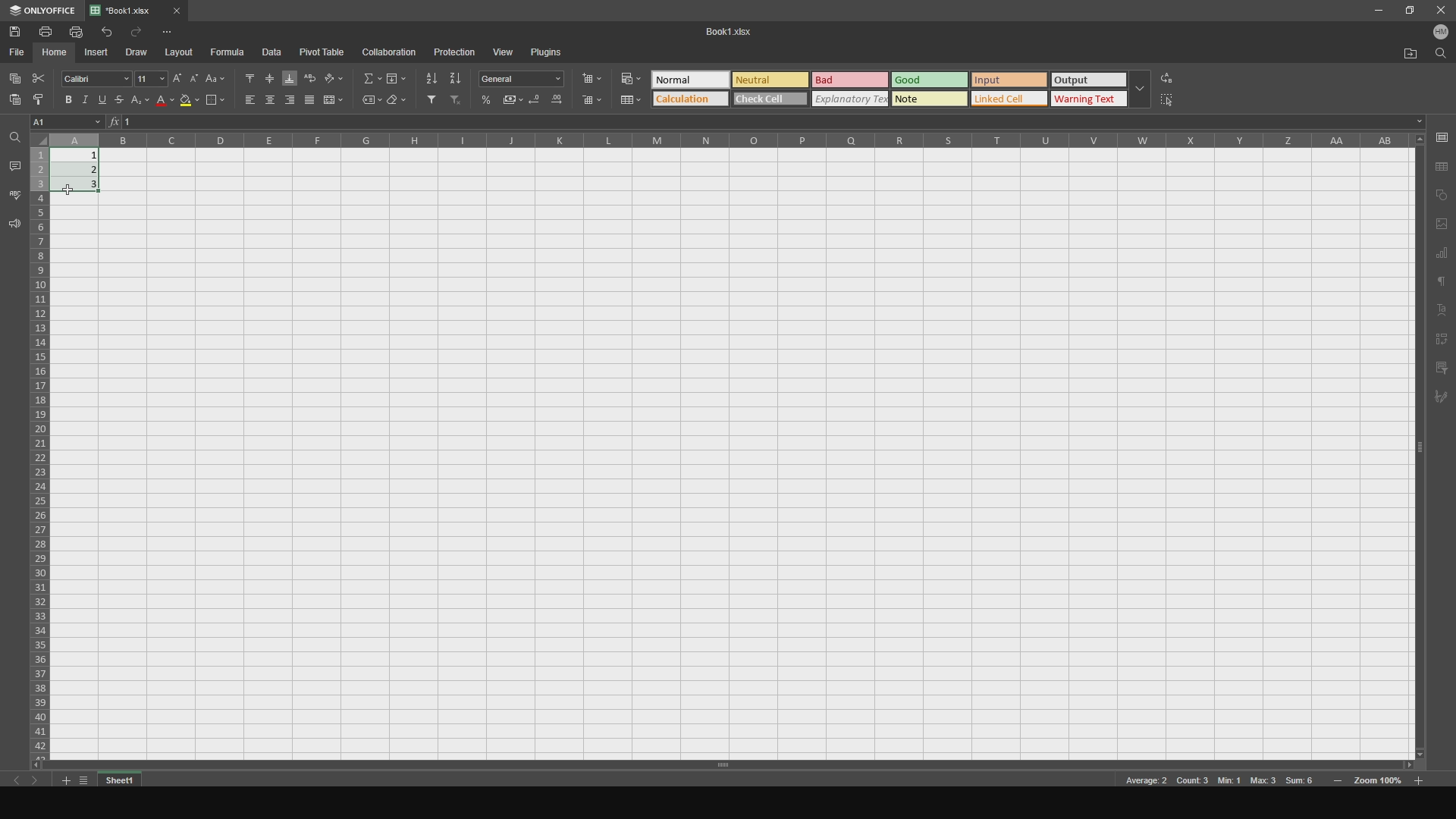  What do you see at coordinates (143, 103) in the screenshot?
I see `` at bounding box center [143, 103].